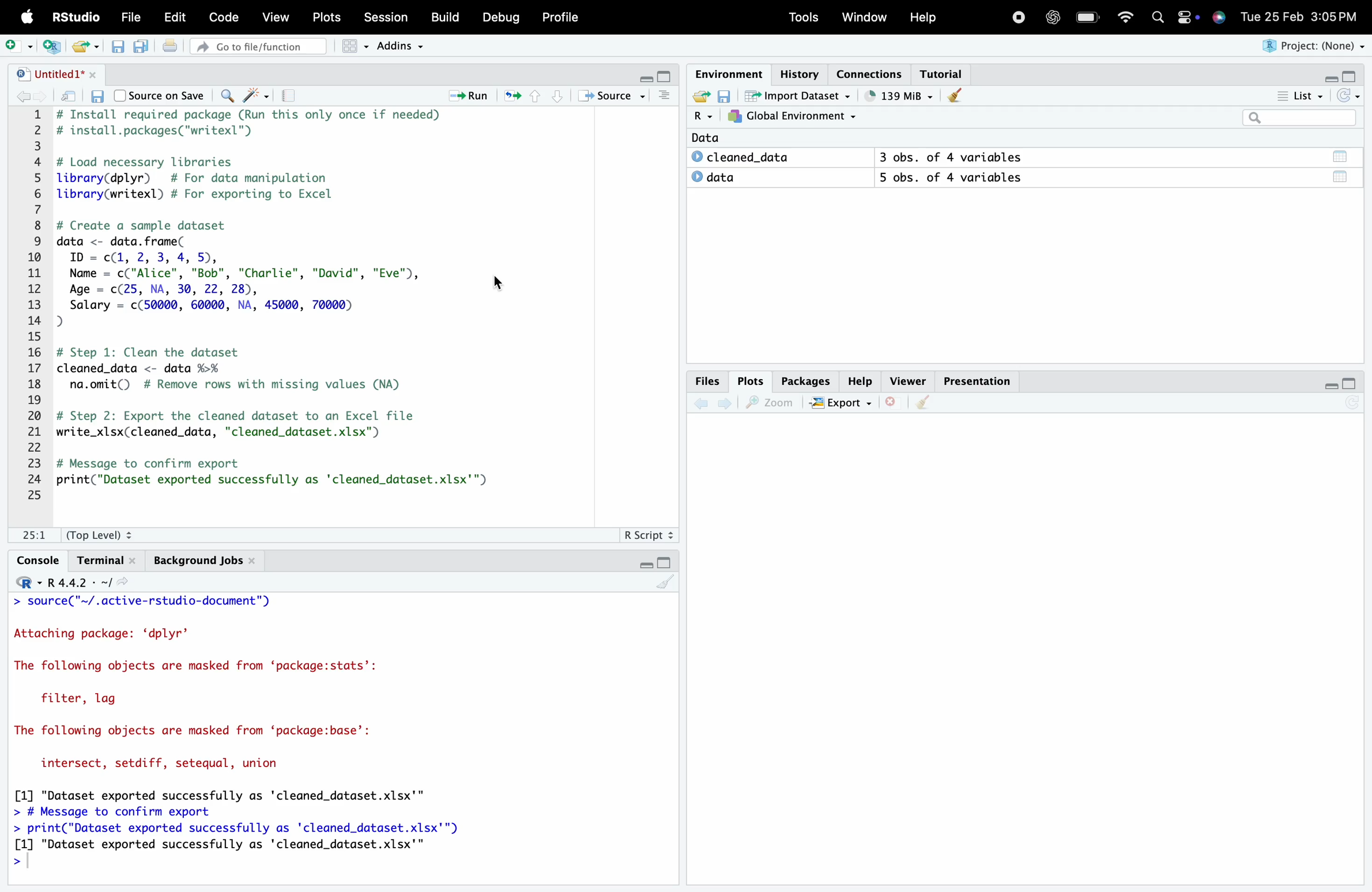 The width and height of the screenshot is (1372, 892). What do you see at coordinates (54, 72) in the screenshot?
I see `Untitled1` at bounding box center [54, 72].